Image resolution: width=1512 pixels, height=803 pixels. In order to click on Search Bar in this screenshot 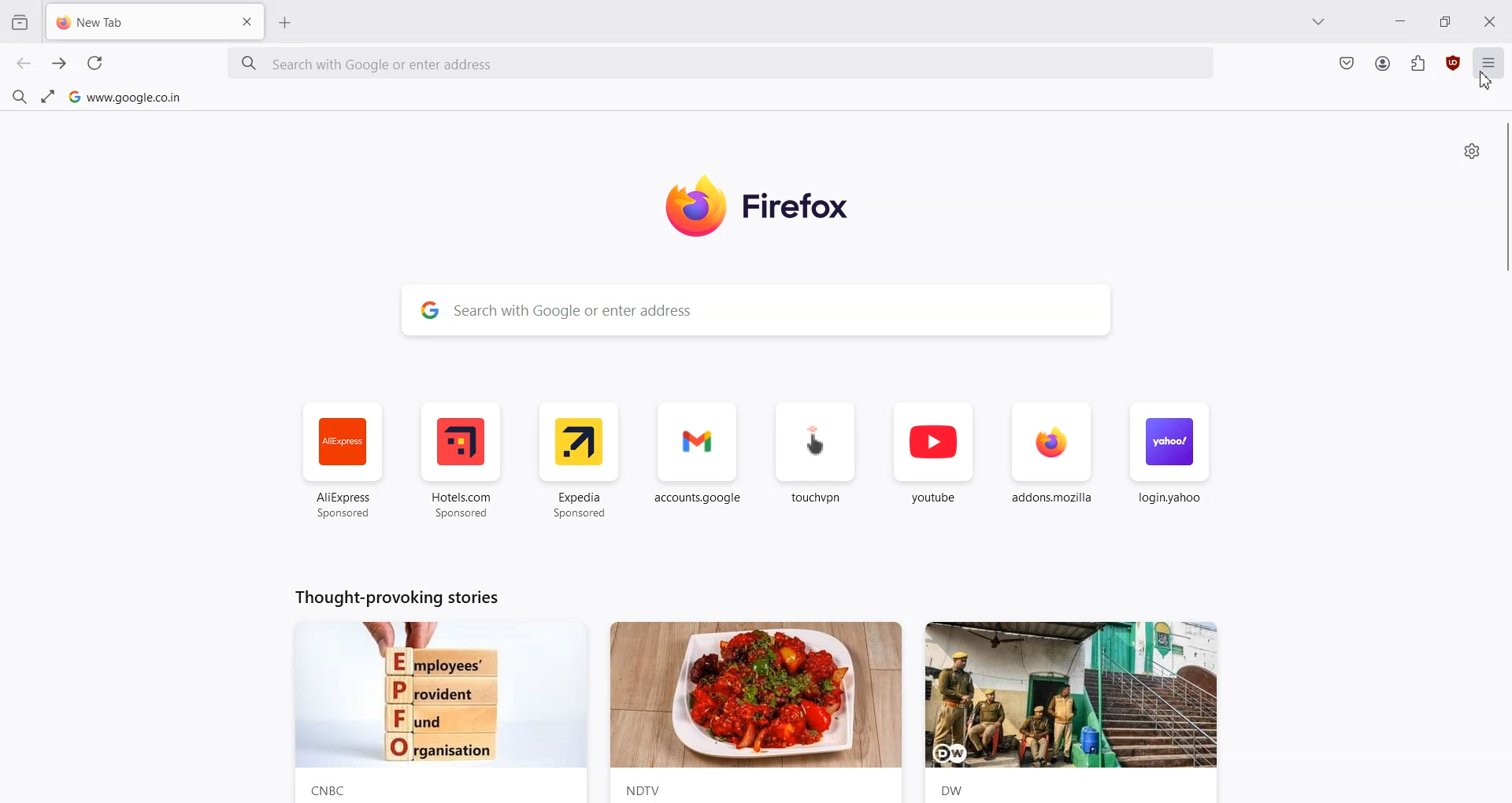, I will do `click(758, 309)`.